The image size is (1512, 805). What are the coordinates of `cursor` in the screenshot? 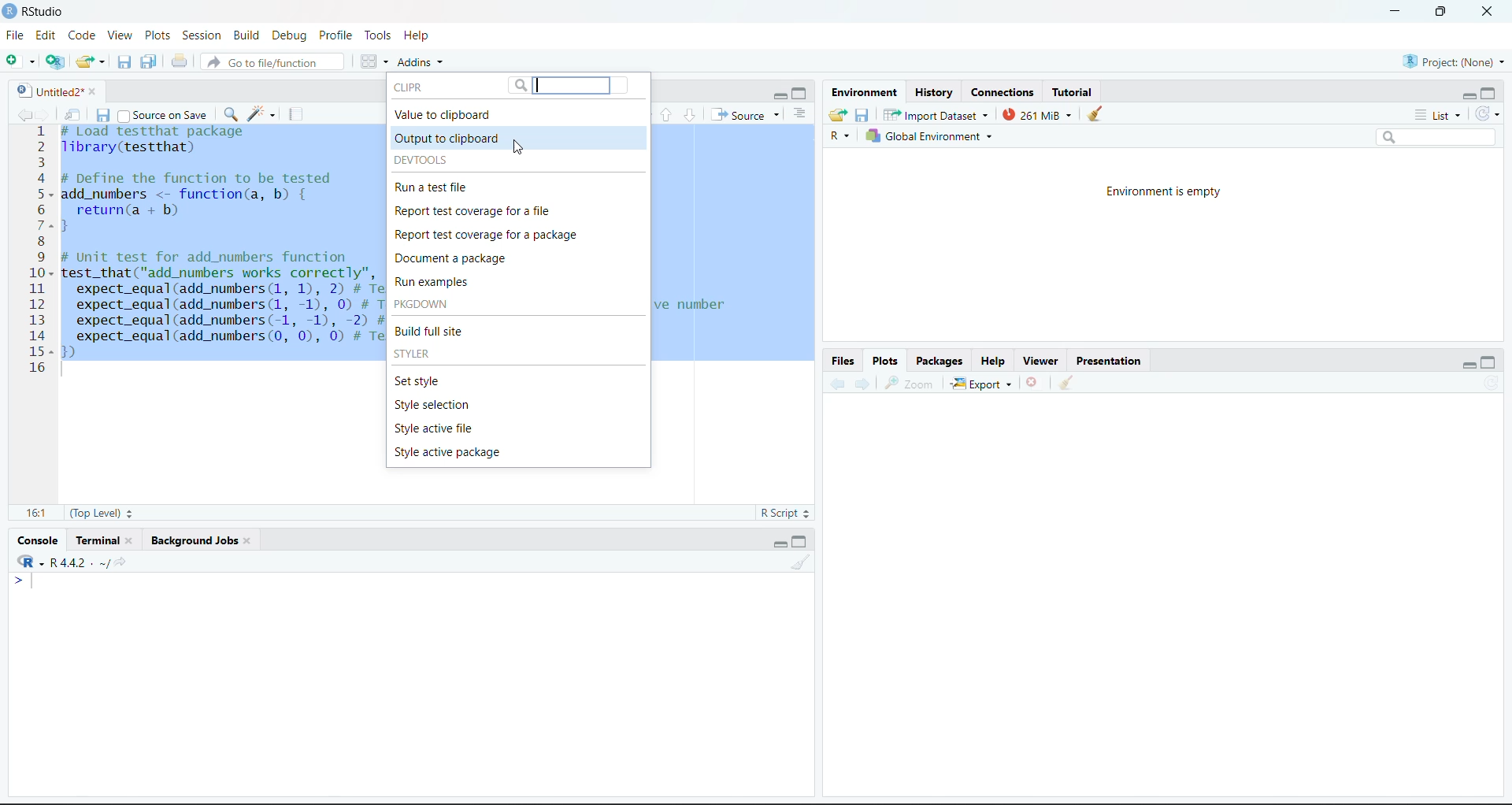 It's located at (520, 148).